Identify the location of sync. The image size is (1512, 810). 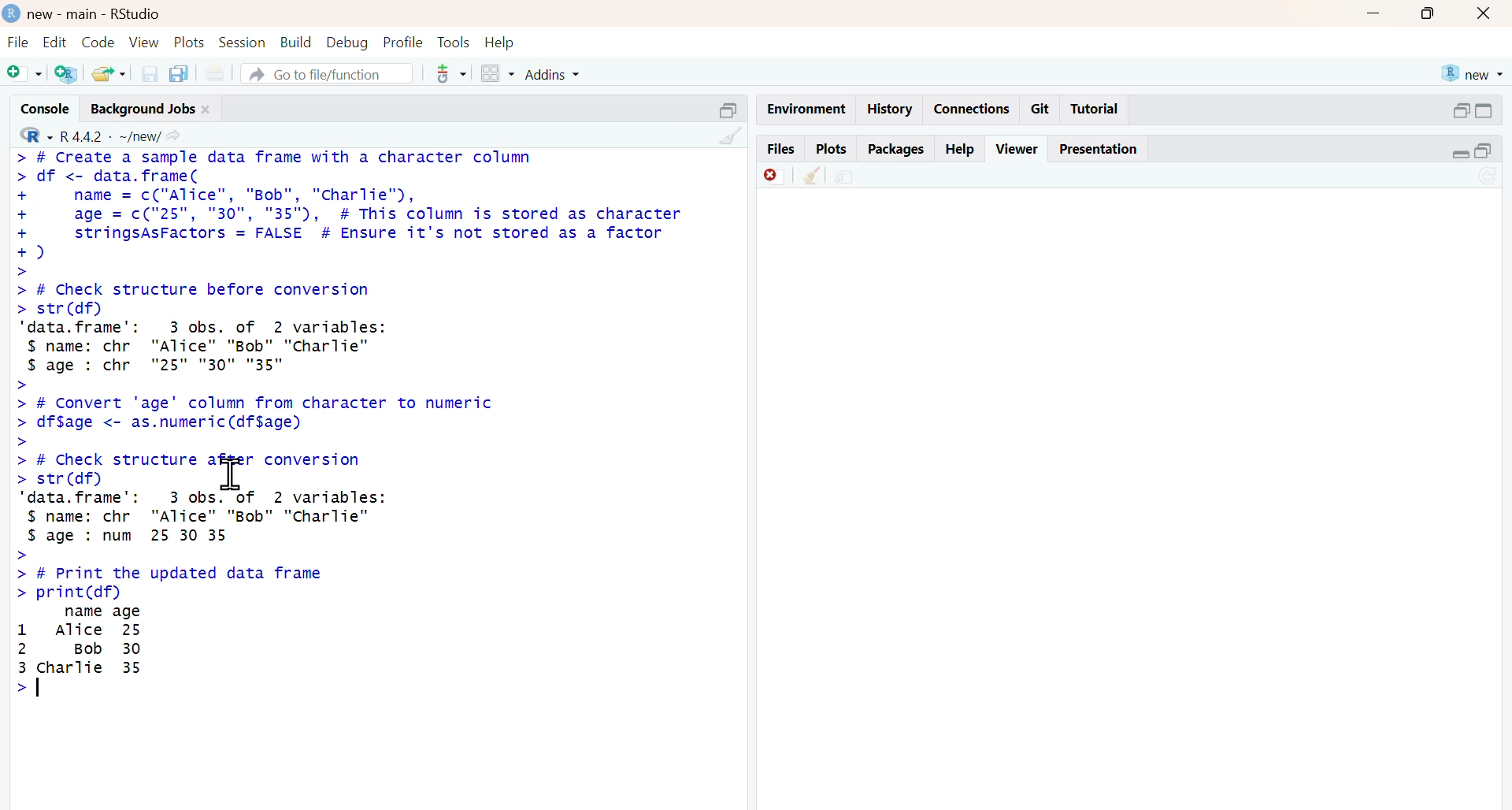
(1490, 177).